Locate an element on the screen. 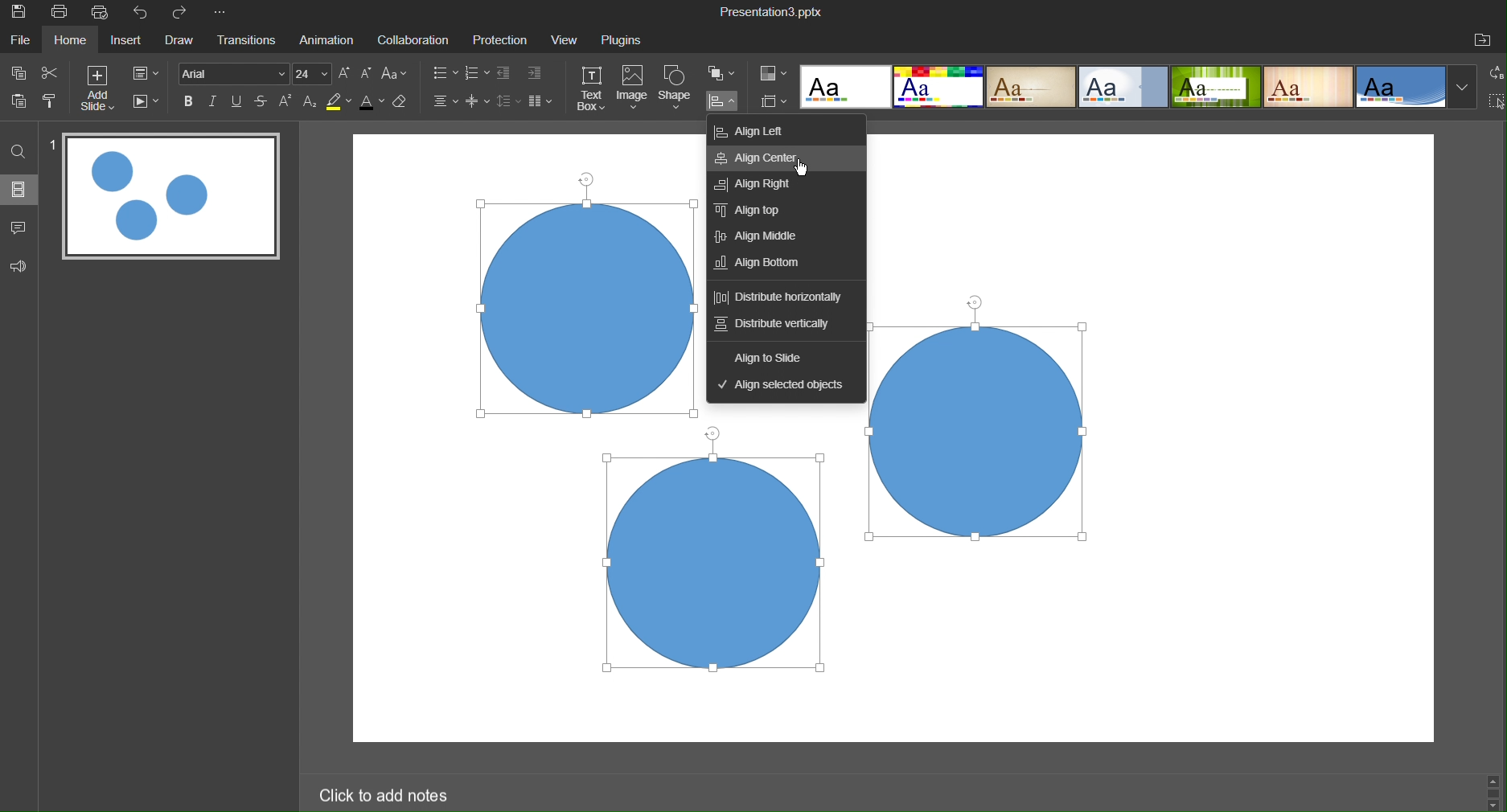  Vertical Align is located at coordinates (478, 102).